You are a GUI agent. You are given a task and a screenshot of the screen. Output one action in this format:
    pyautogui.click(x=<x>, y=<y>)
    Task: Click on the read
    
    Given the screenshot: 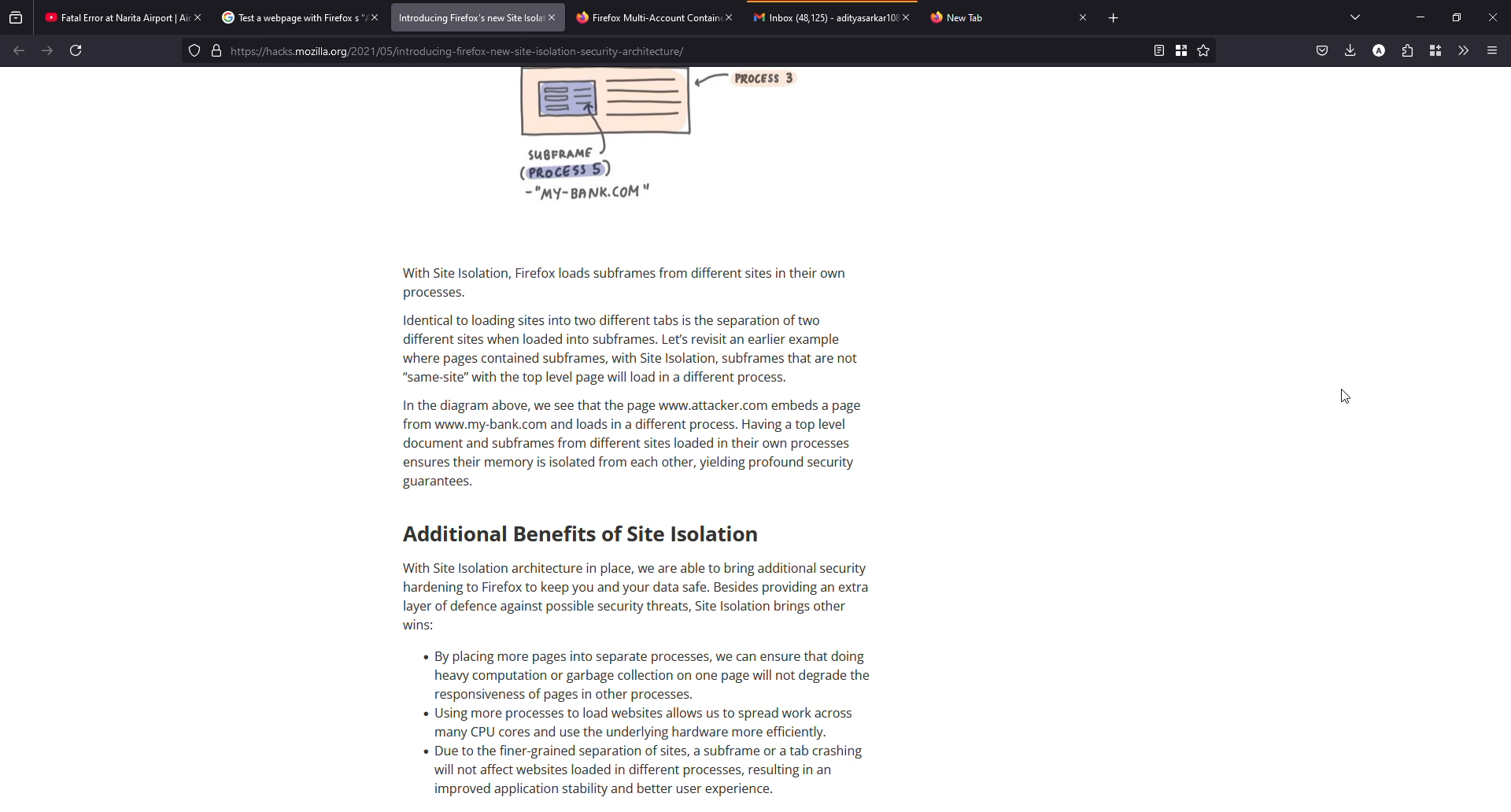 What is the action you would take?
    pyautogui.click(x=1158, y=50)
    